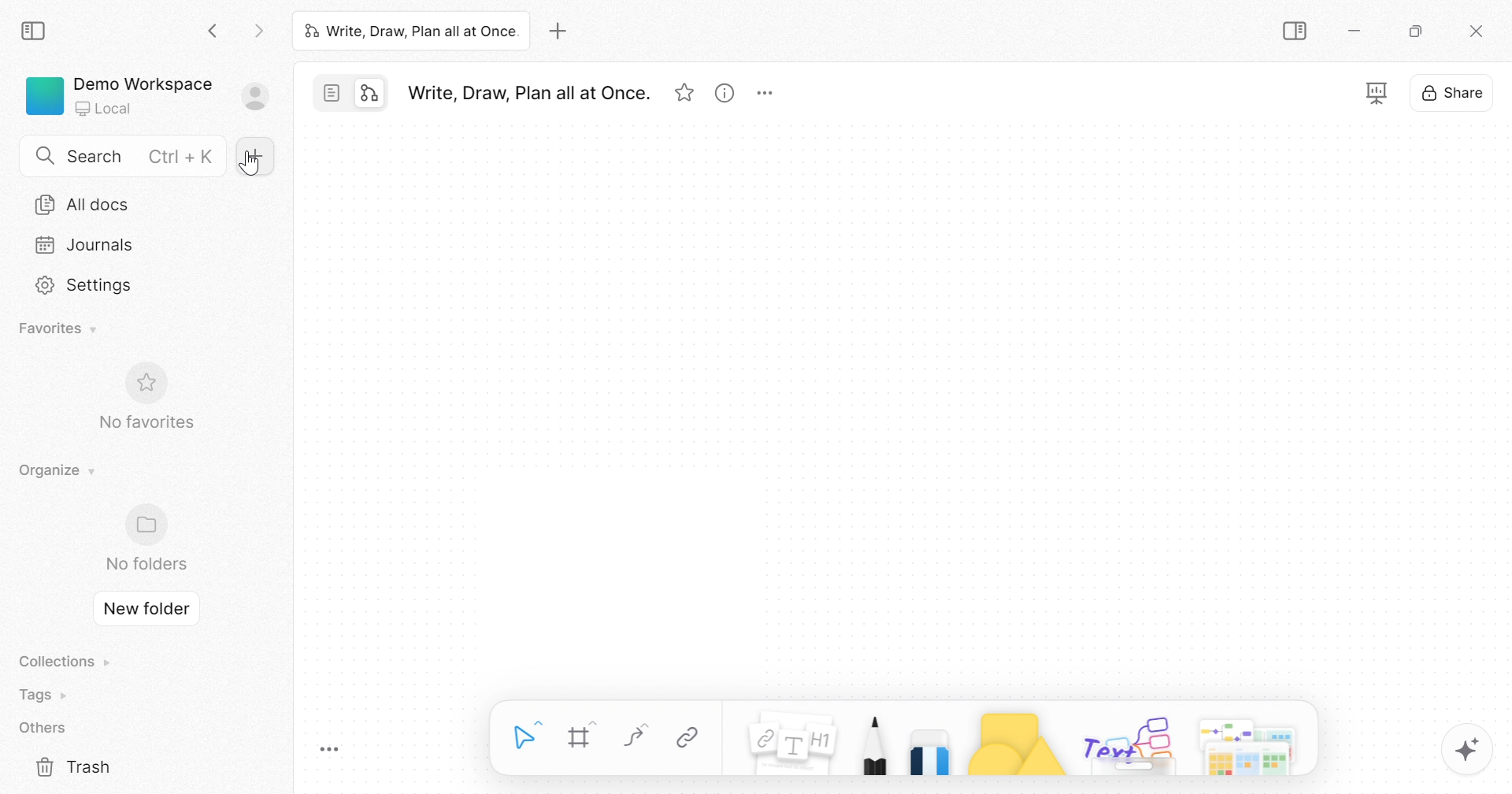  Describe the element at coordinates (45, 95) in the screenshot. I see `Green color` at that location.